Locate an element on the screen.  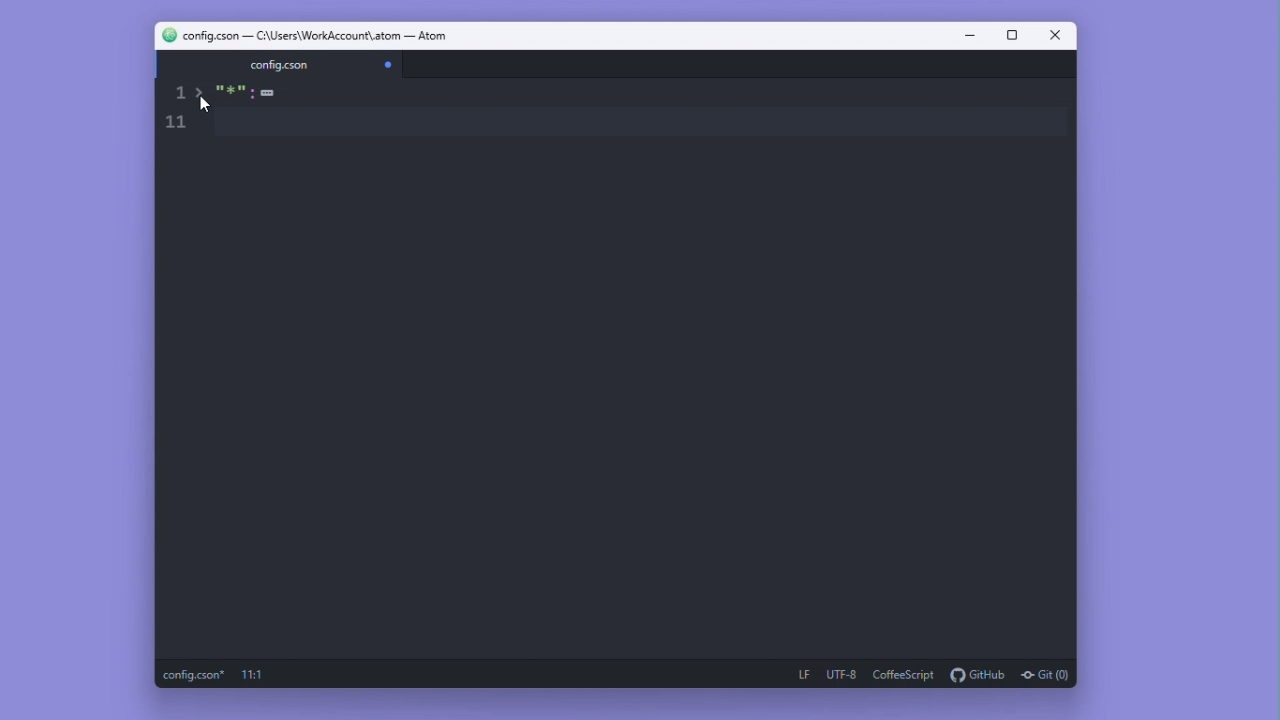
Collapsed code "*" ;  is located at coordinates (258, 95).